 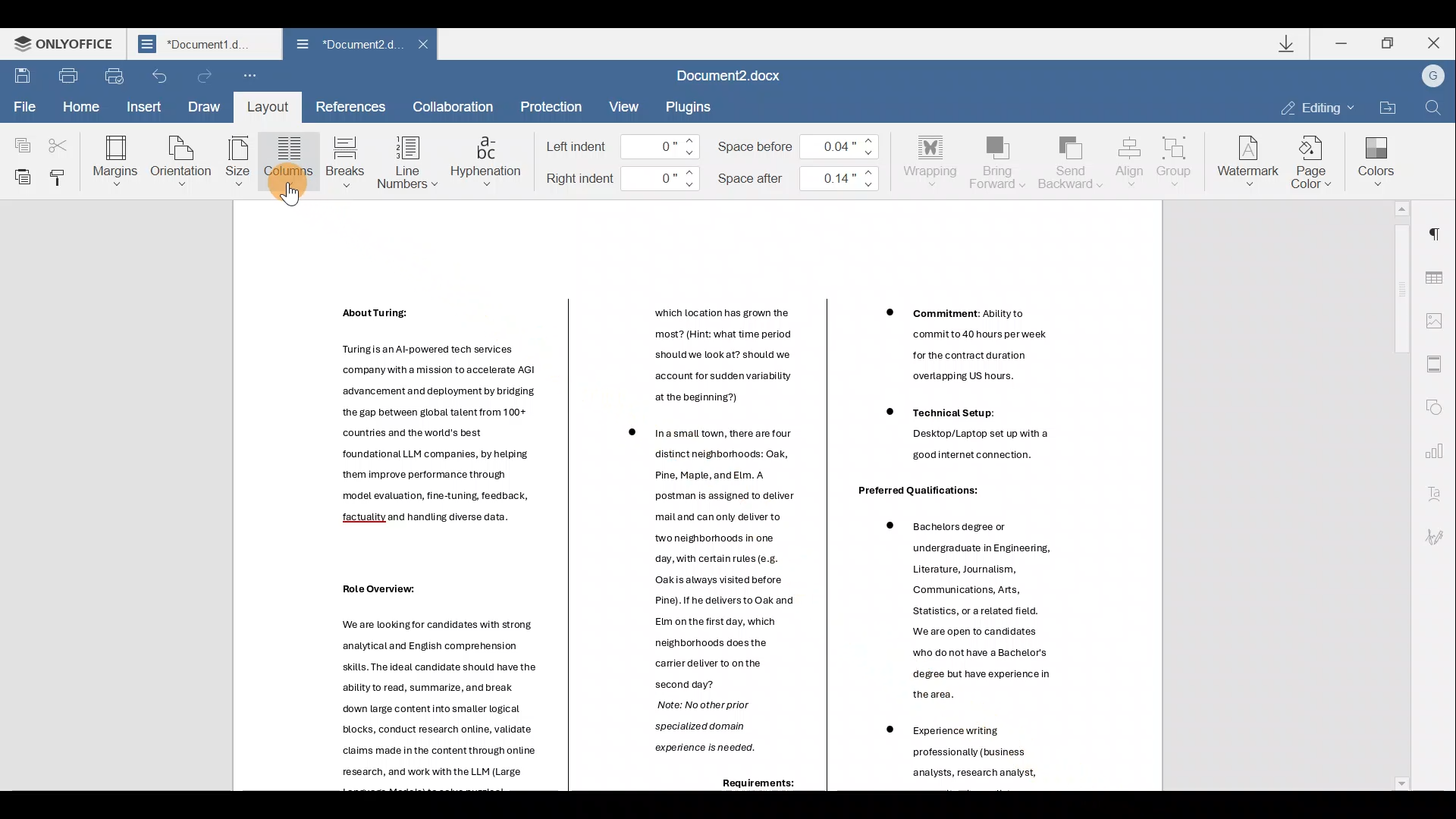 I want to click on Space before, so click(x=804, y=143).